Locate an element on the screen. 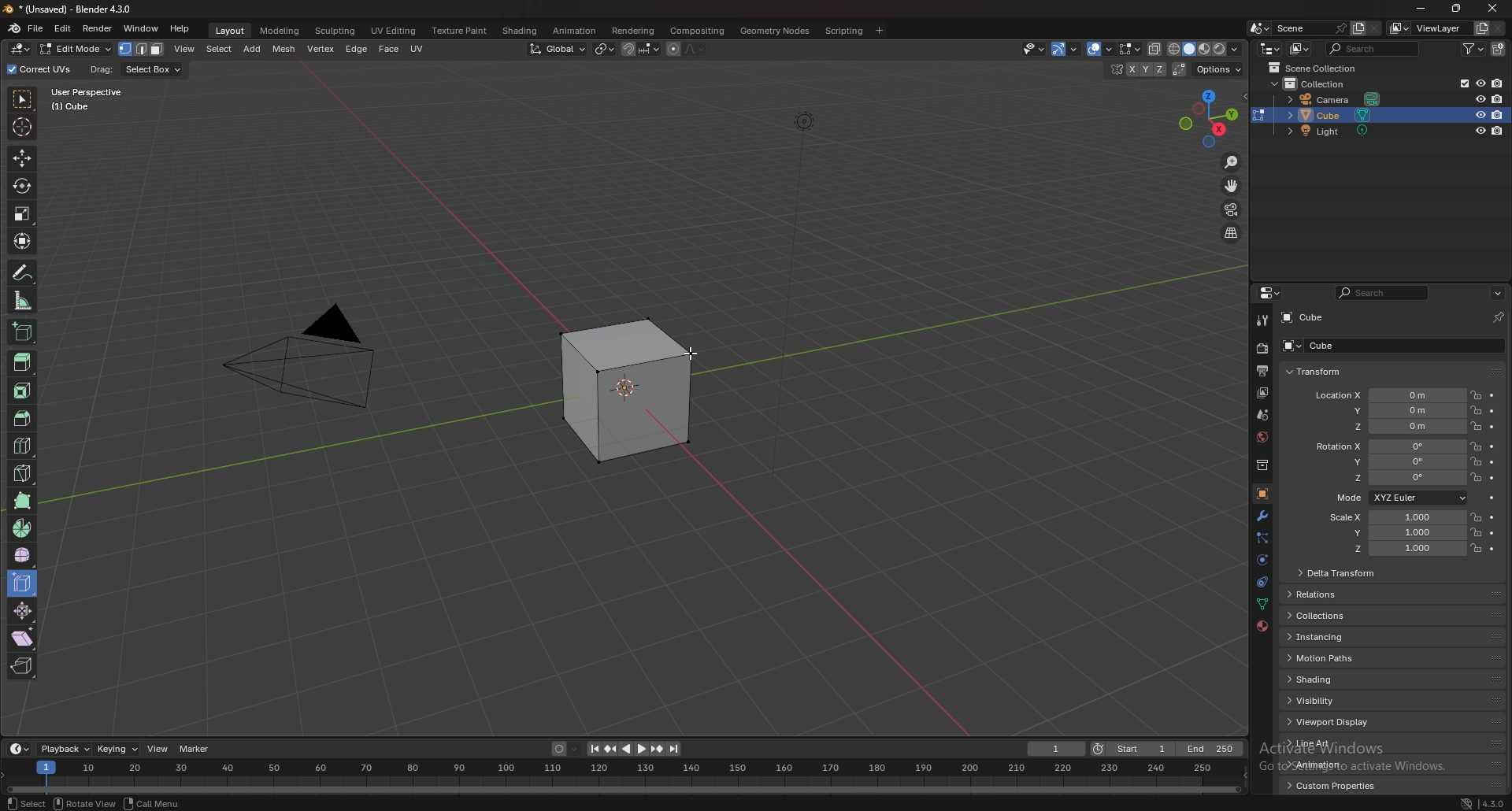 Image resolution: width=1512 pixels, height=811 pixels. lock is located at coordinates (1475, 477).